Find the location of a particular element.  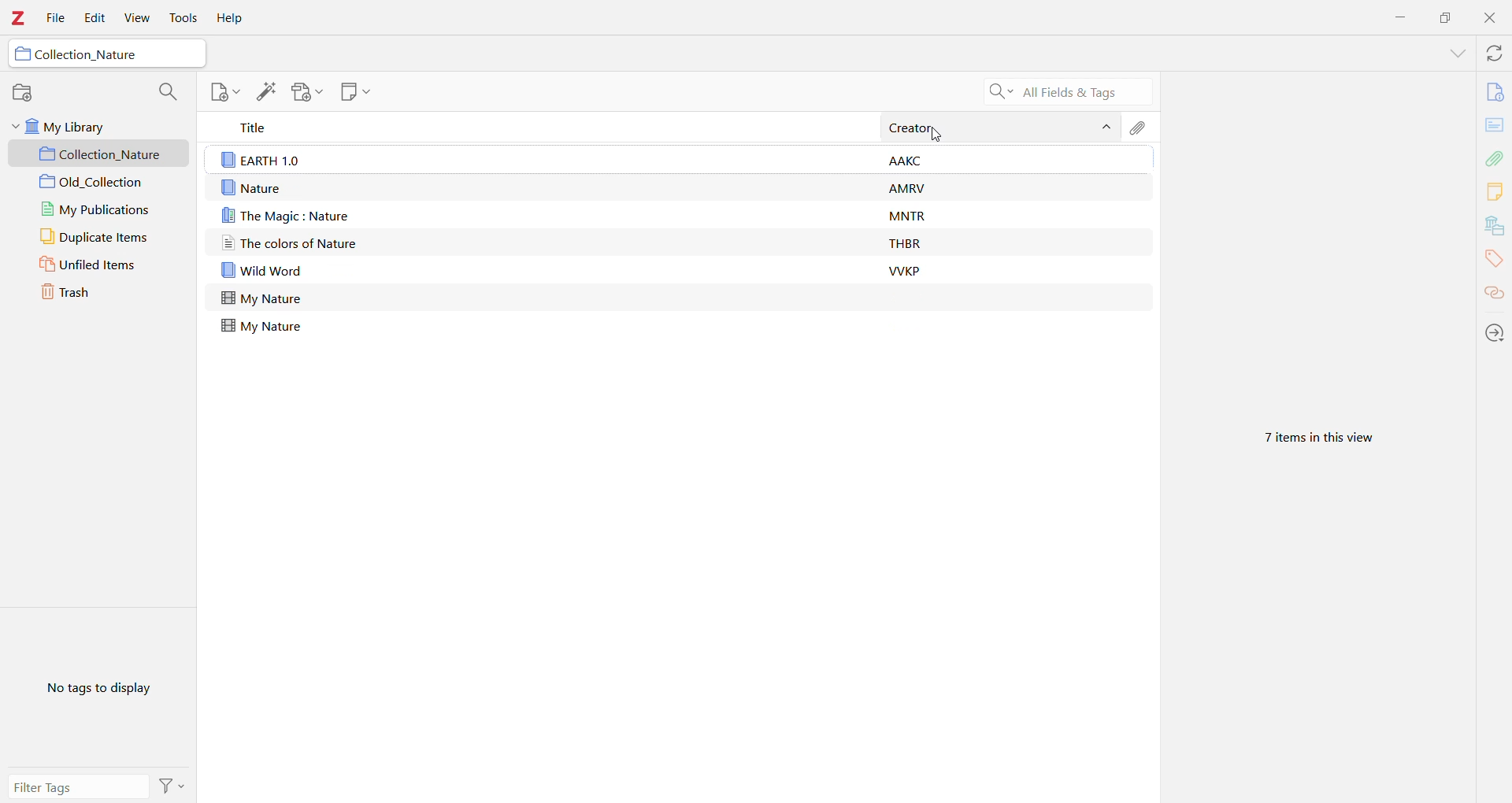

Collection Name is located at coordinates (108, 54).